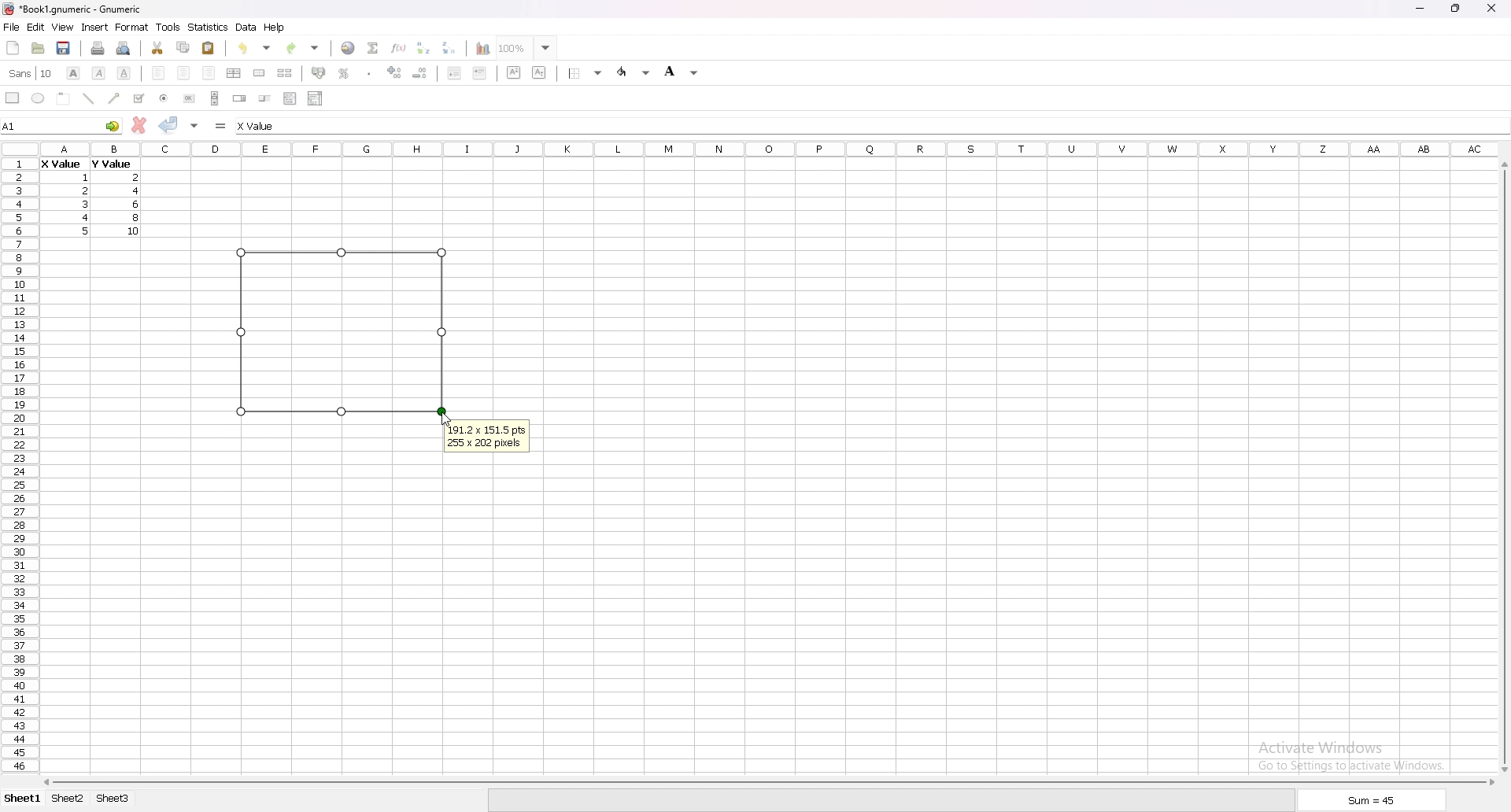  What do you see at coordinates (137, 177) in the screenshot?
I see `value` at bounding box center [137, 177].